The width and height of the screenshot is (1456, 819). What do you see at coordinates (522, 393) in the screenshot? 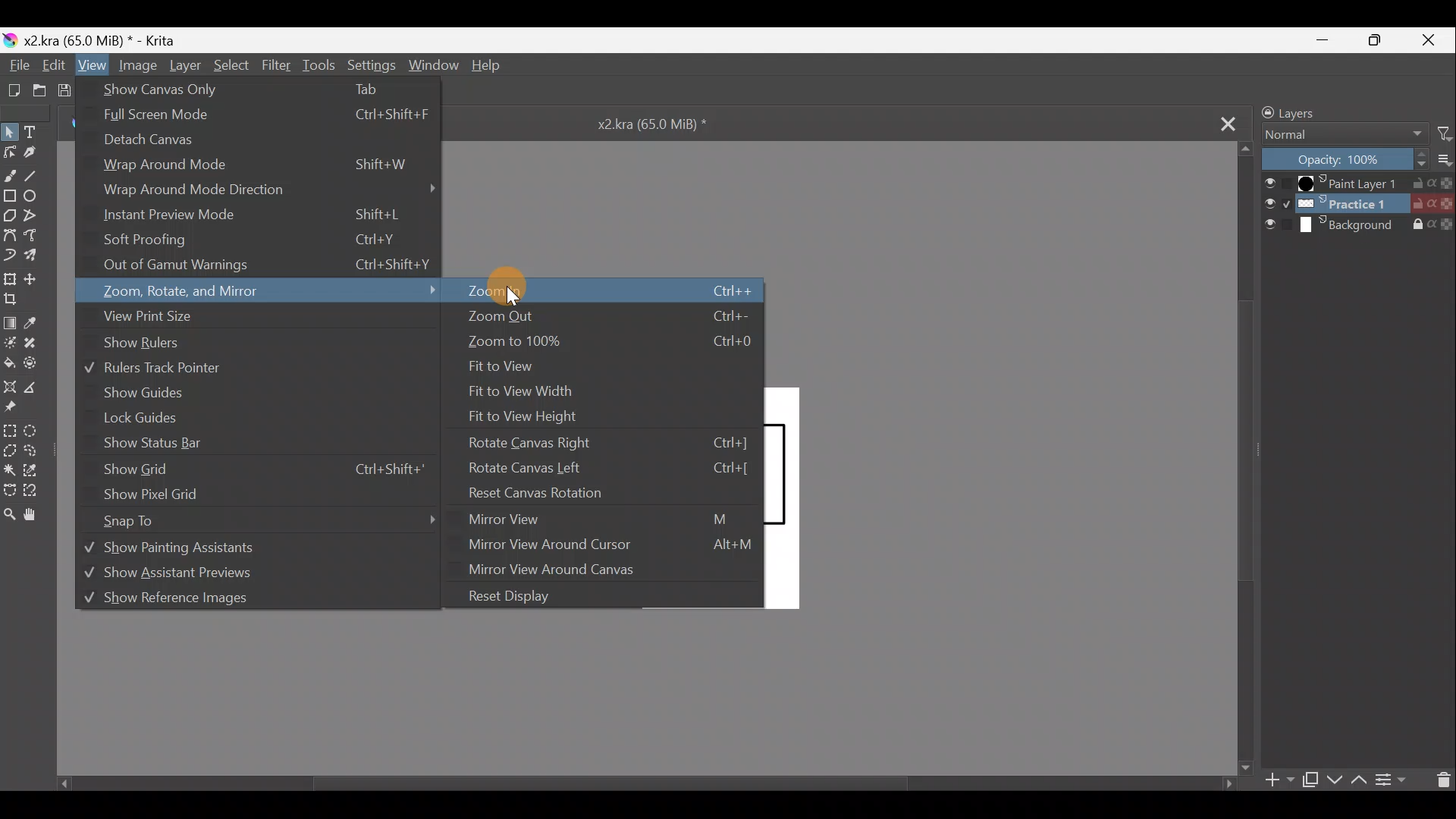
I see `Fit to view width` at bounding box center [522, 393].